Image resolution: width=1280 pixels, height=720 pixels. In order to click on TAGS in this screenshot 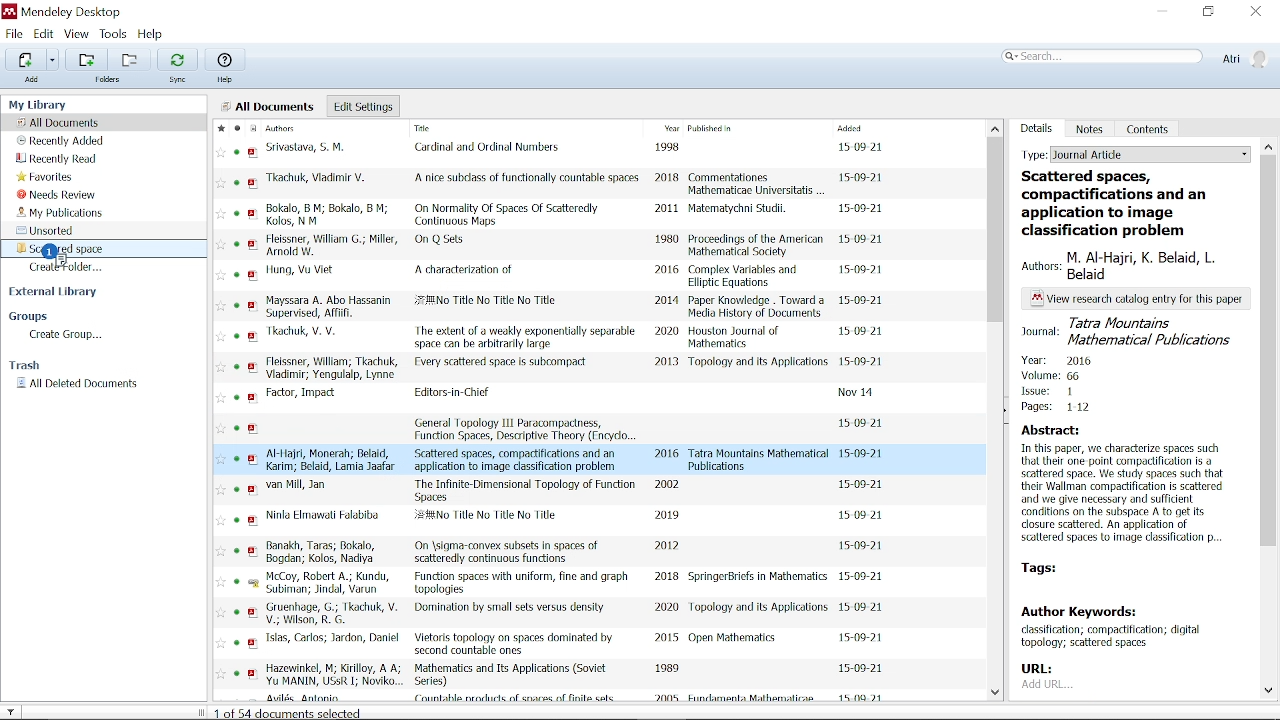, I will do `click(1063, 569)`.